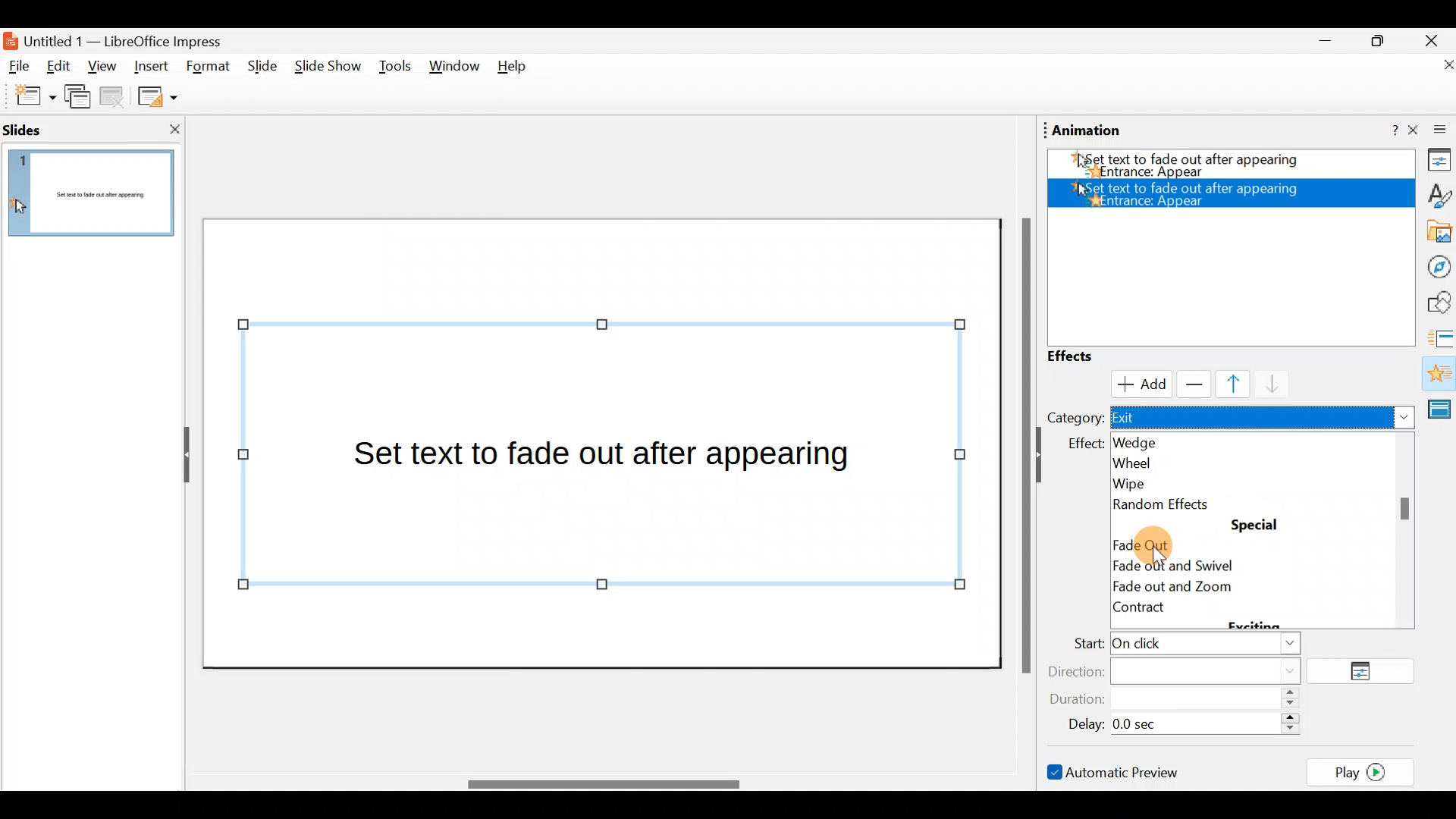  Describe the element at coordinates (1023, 444) in the screenshot. I see `Scroll bar` at that location.